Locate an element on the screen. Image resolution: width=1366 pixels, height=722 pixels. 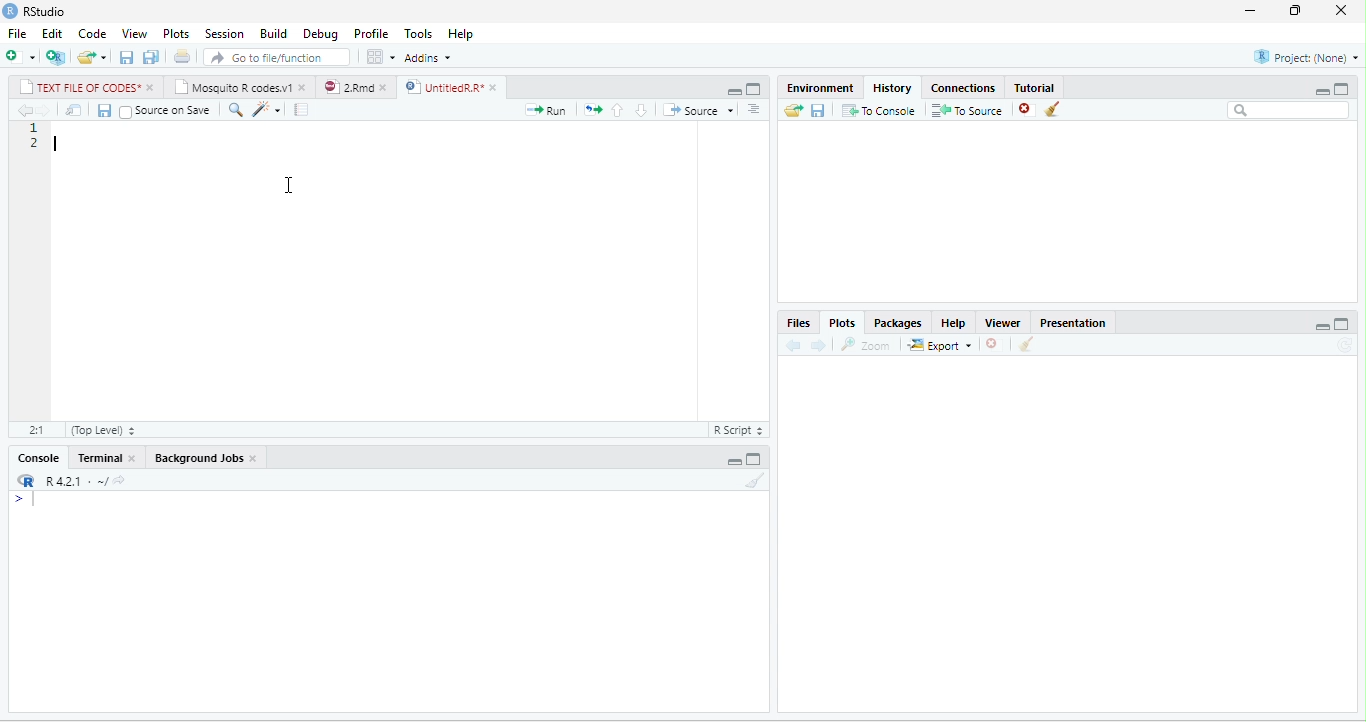
typing cursor is located at coordinates (57, 144).